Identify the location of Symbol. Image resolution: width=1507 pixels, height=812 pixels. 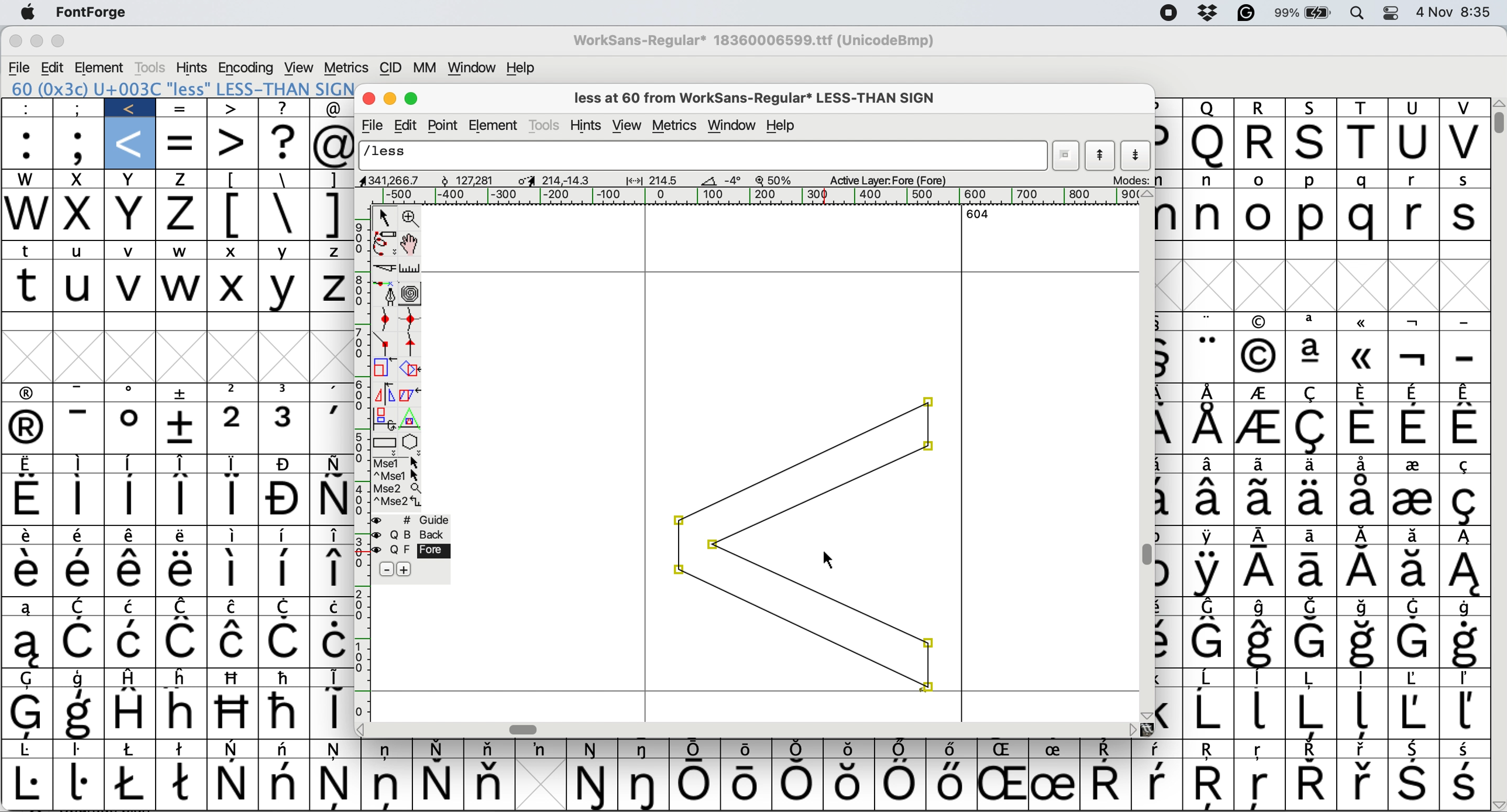
(699, 785).